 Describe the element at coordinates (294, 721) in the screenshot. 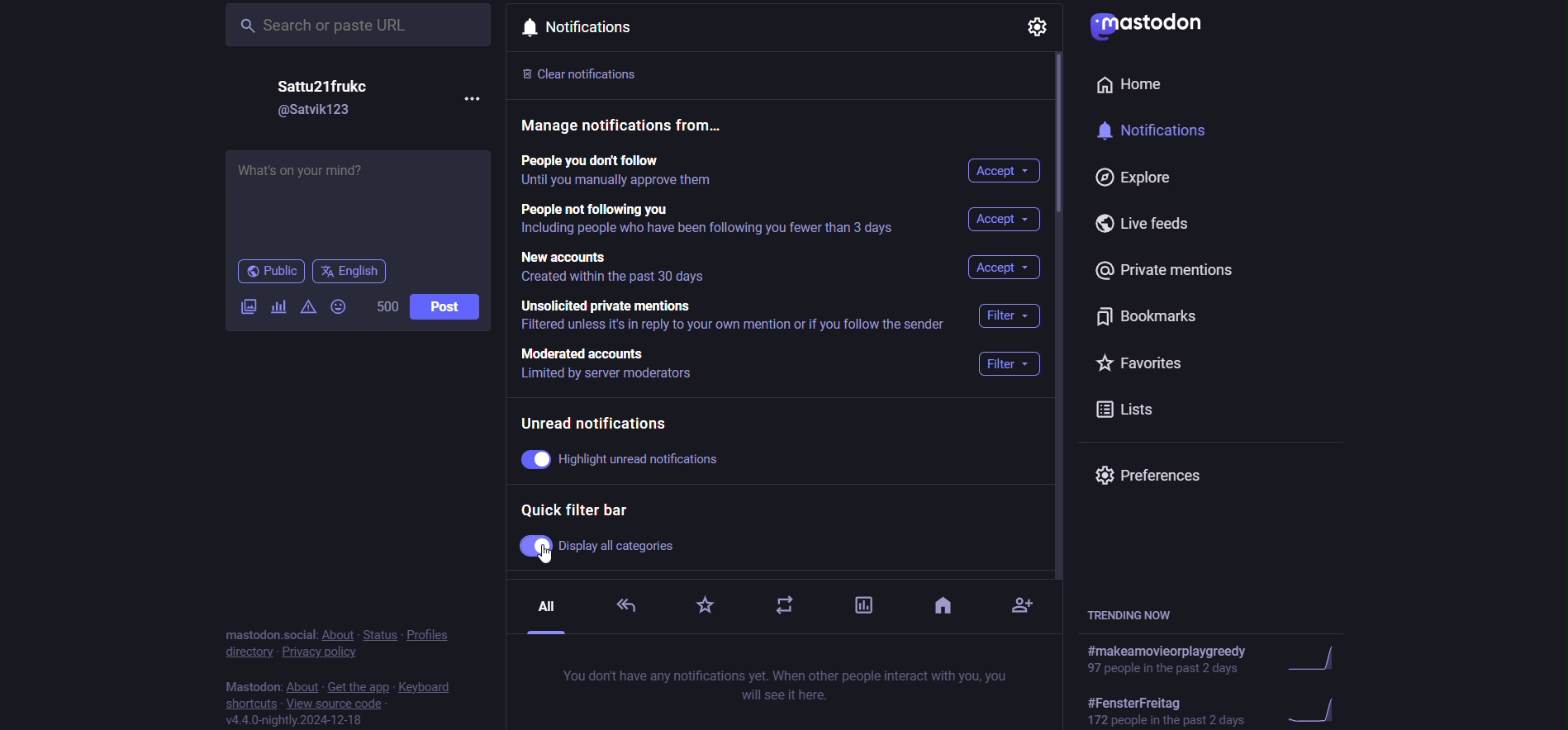

I see `version` at that location.